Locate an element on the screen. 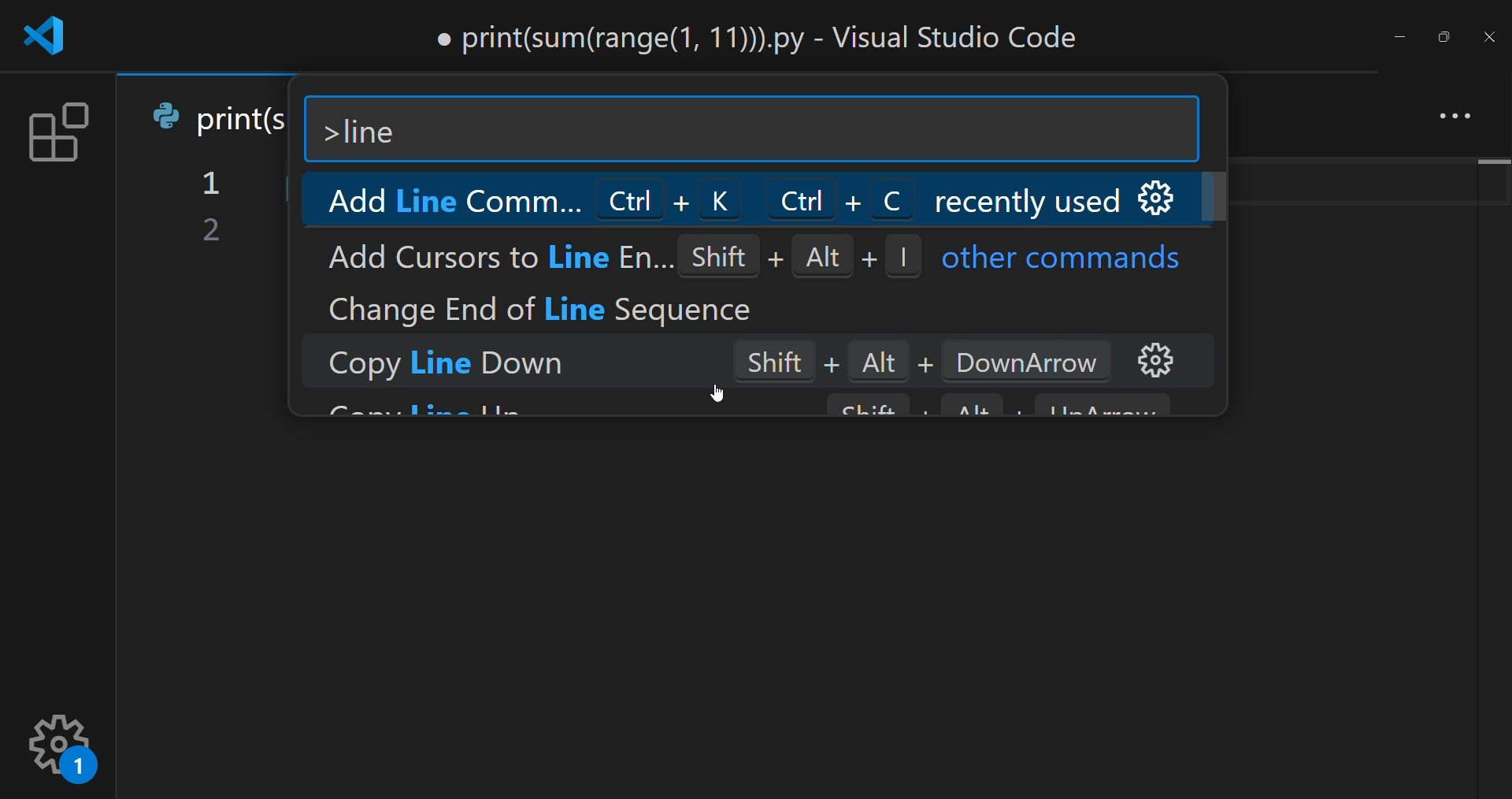 This screenshot has height=799, width=1512. print(sum(range(1, 11))).py - Visual Studio Code is located at coordinates (762, 36).